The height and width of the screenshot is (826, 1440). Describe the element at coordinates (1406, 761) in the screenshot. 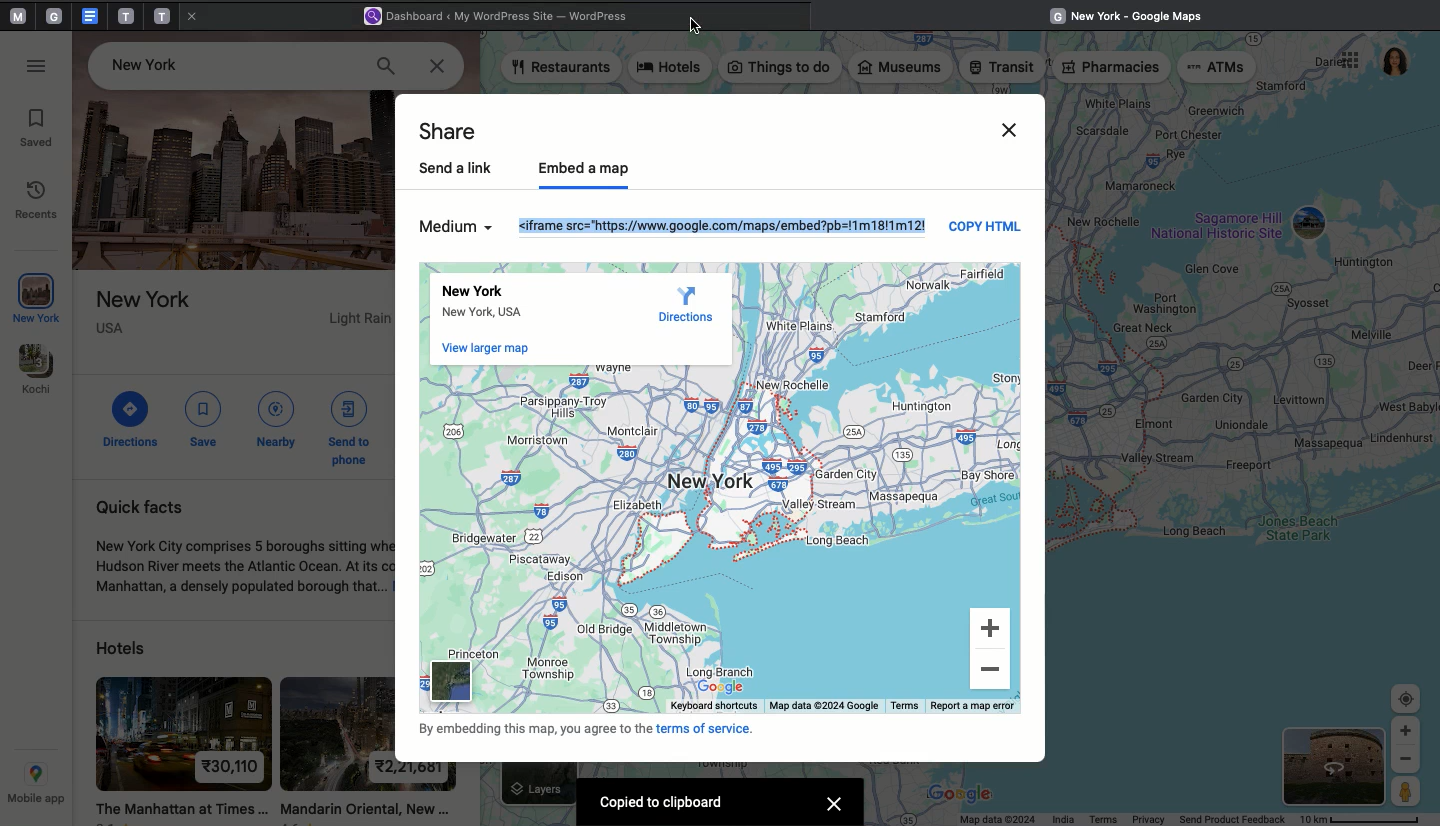

I see `Zoom out` at that location.